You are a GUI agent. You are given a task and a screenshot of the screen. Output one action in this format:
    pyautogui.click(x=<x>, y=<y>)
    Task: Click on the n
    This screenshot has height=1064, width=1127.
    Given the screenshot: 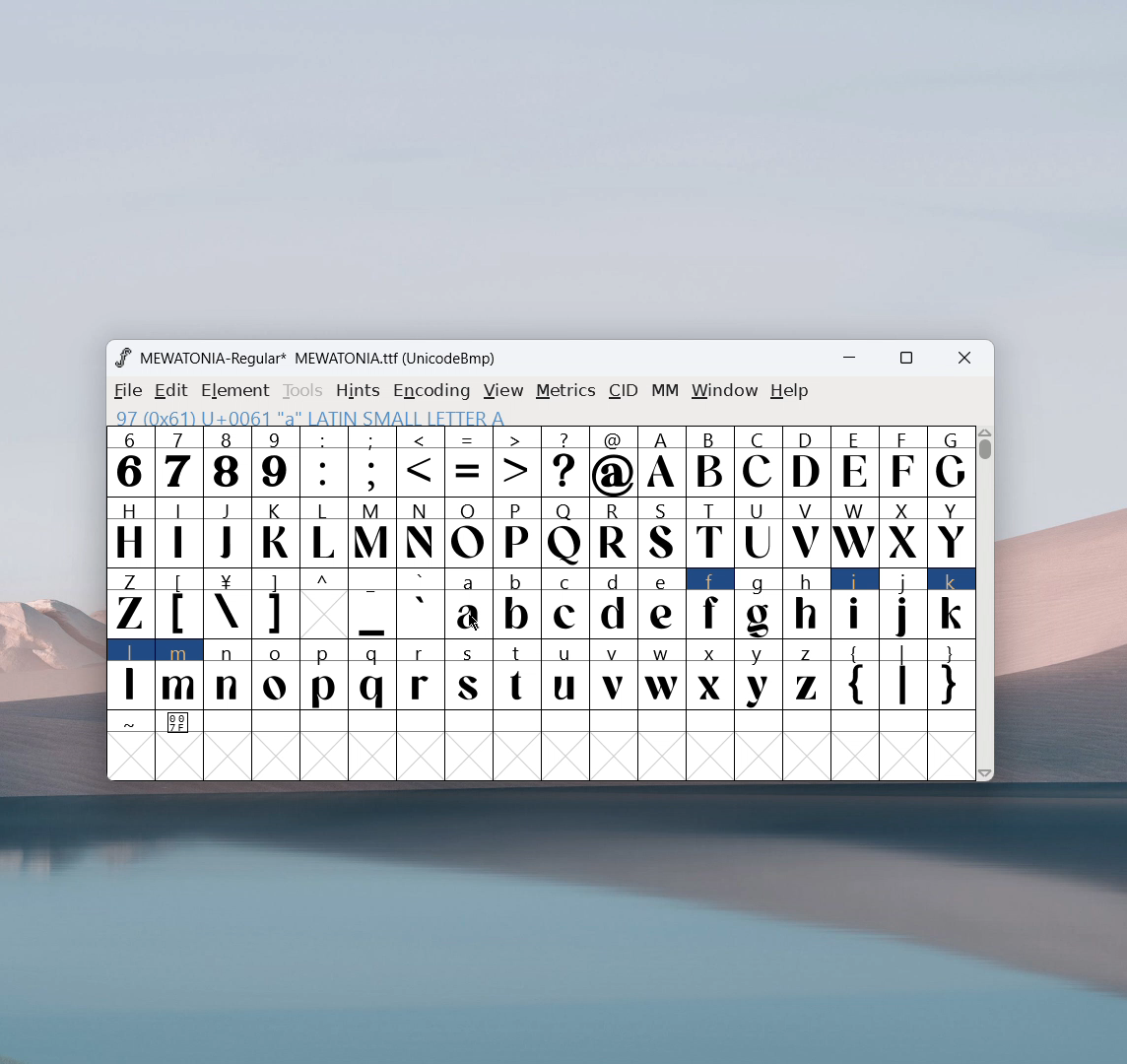 What is the action you would take?
    pyautogui.click(x=228, y=677)
    